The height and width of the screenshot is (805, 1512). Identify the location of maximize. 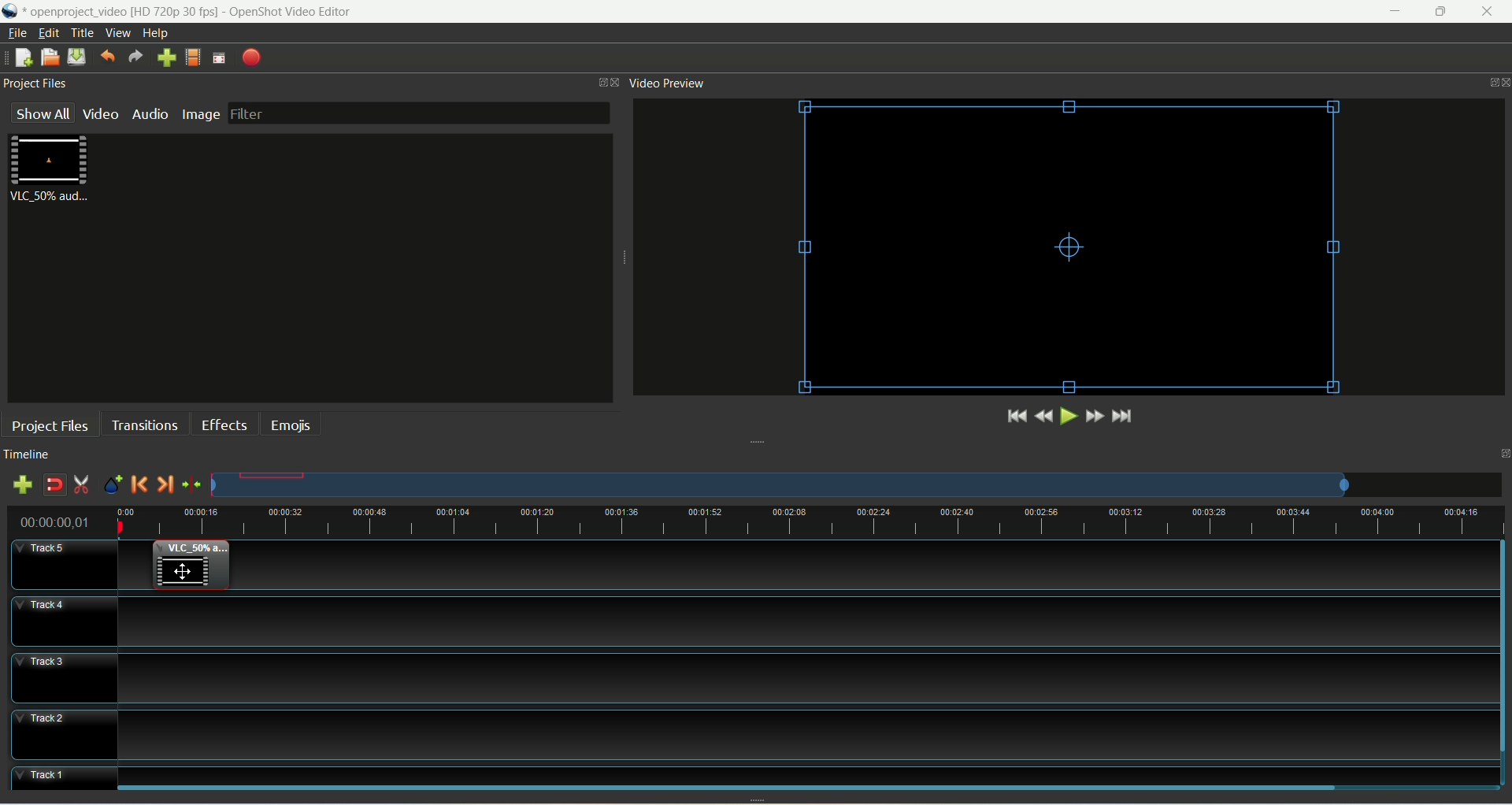
(1440, 12).